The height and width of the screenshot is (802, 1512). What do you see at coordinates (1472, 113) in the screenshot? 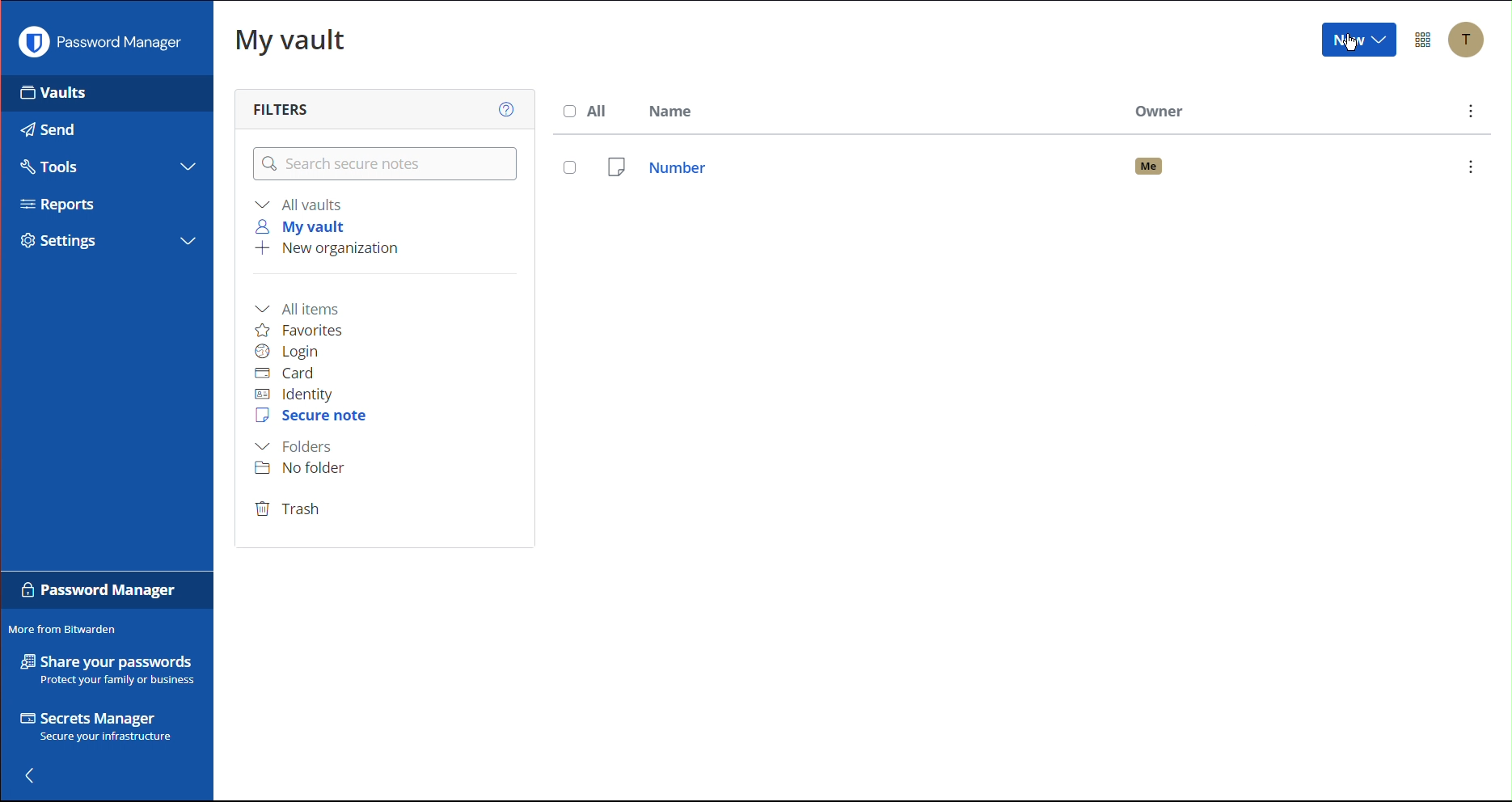
I see `More` at bounding box center [1472, 113].